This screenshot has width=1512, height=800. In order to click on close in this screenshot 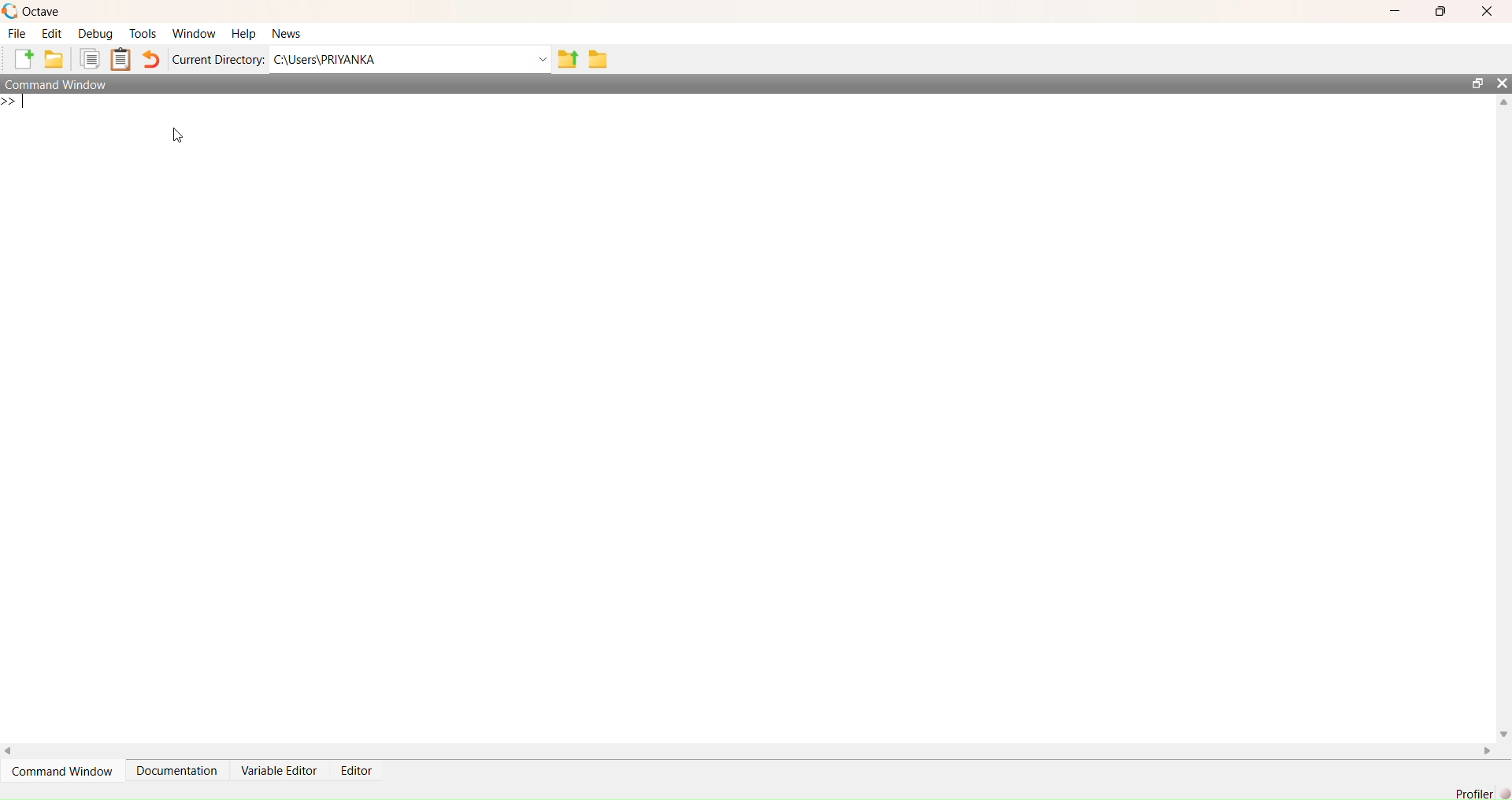, I will do `click(1488, 10)`.